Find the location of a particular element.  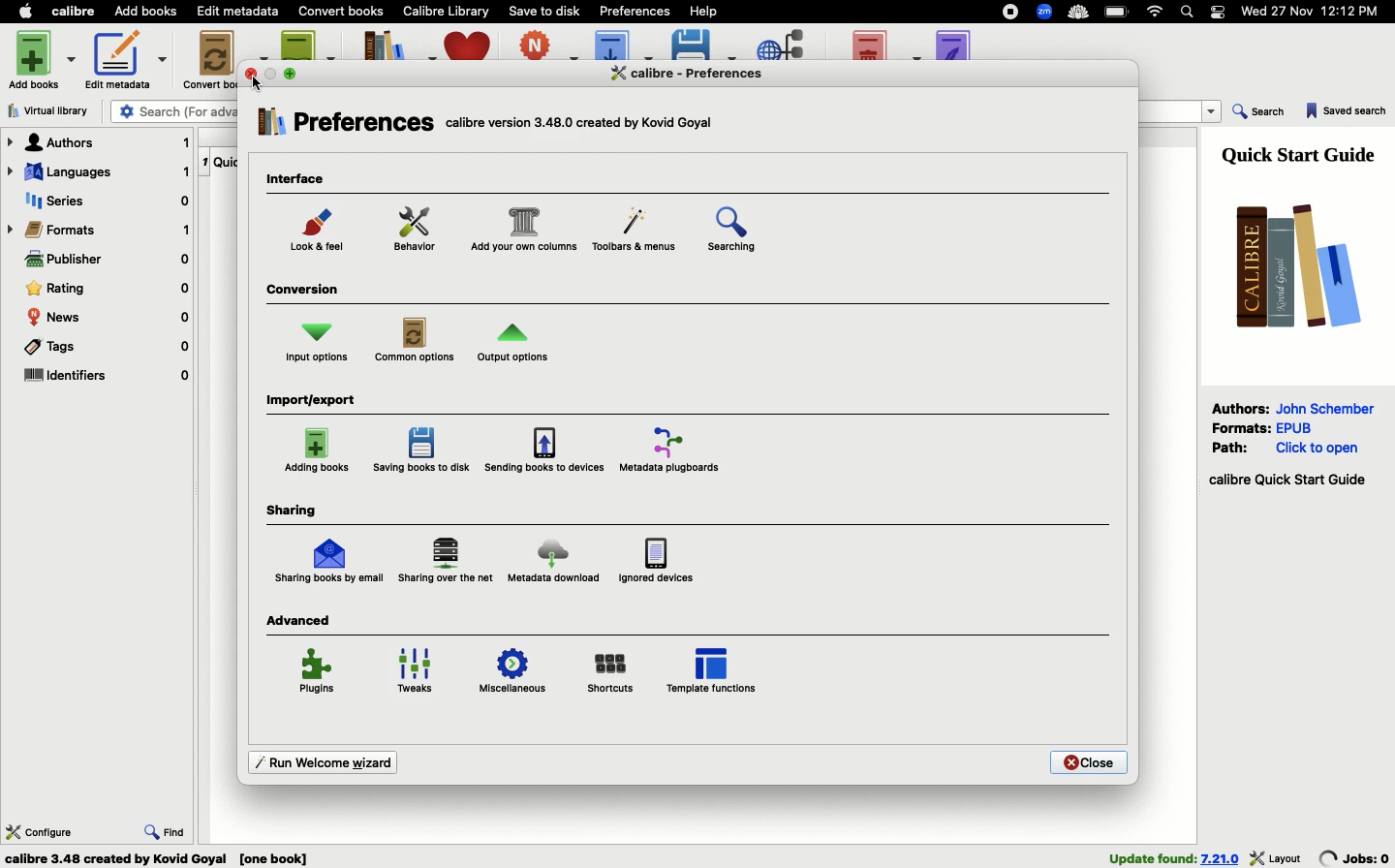

Help is located at coordinates (702, 10).